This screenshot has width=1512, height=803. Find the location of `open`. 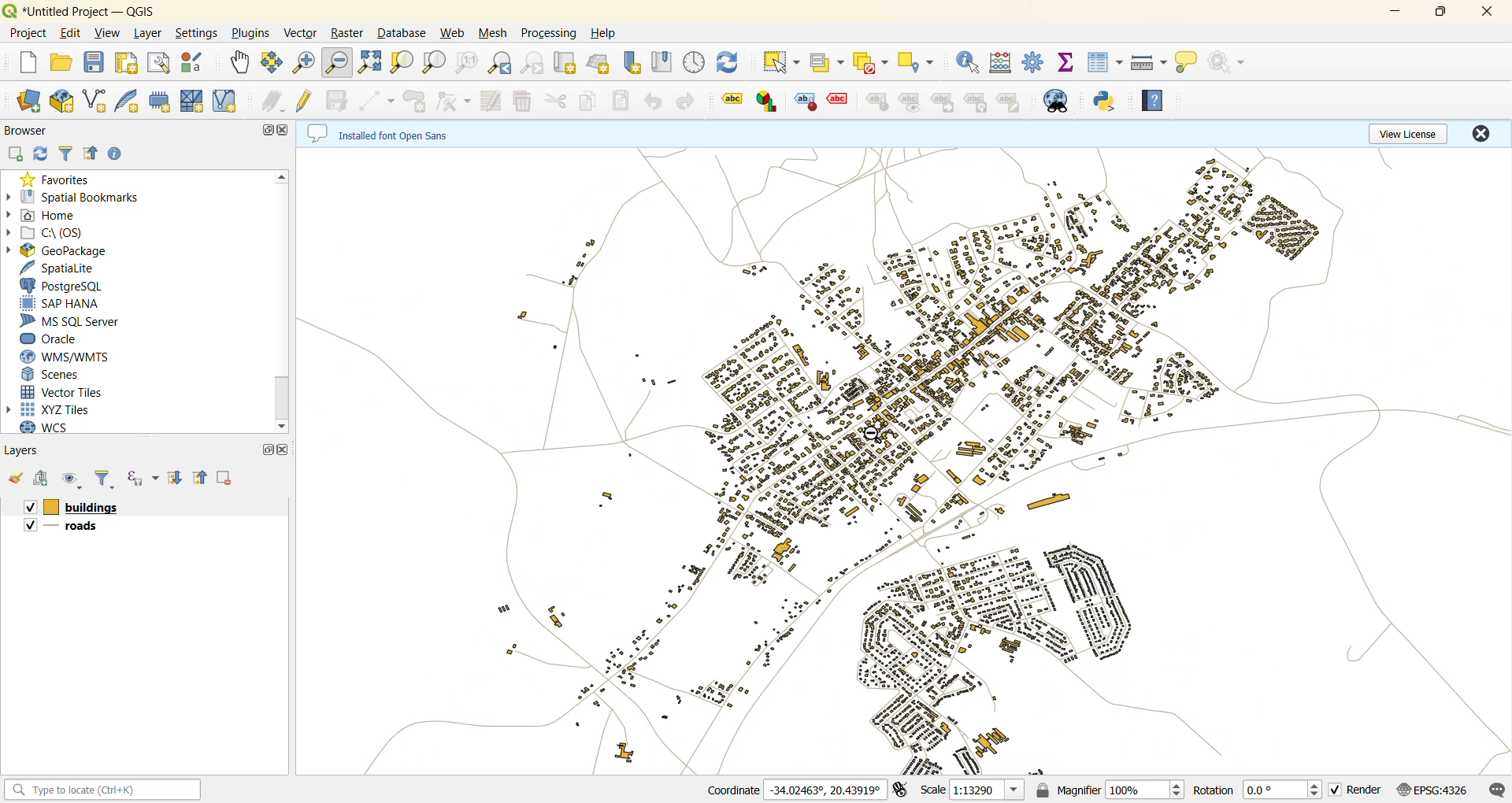

open is located at coordinates (18, 479).